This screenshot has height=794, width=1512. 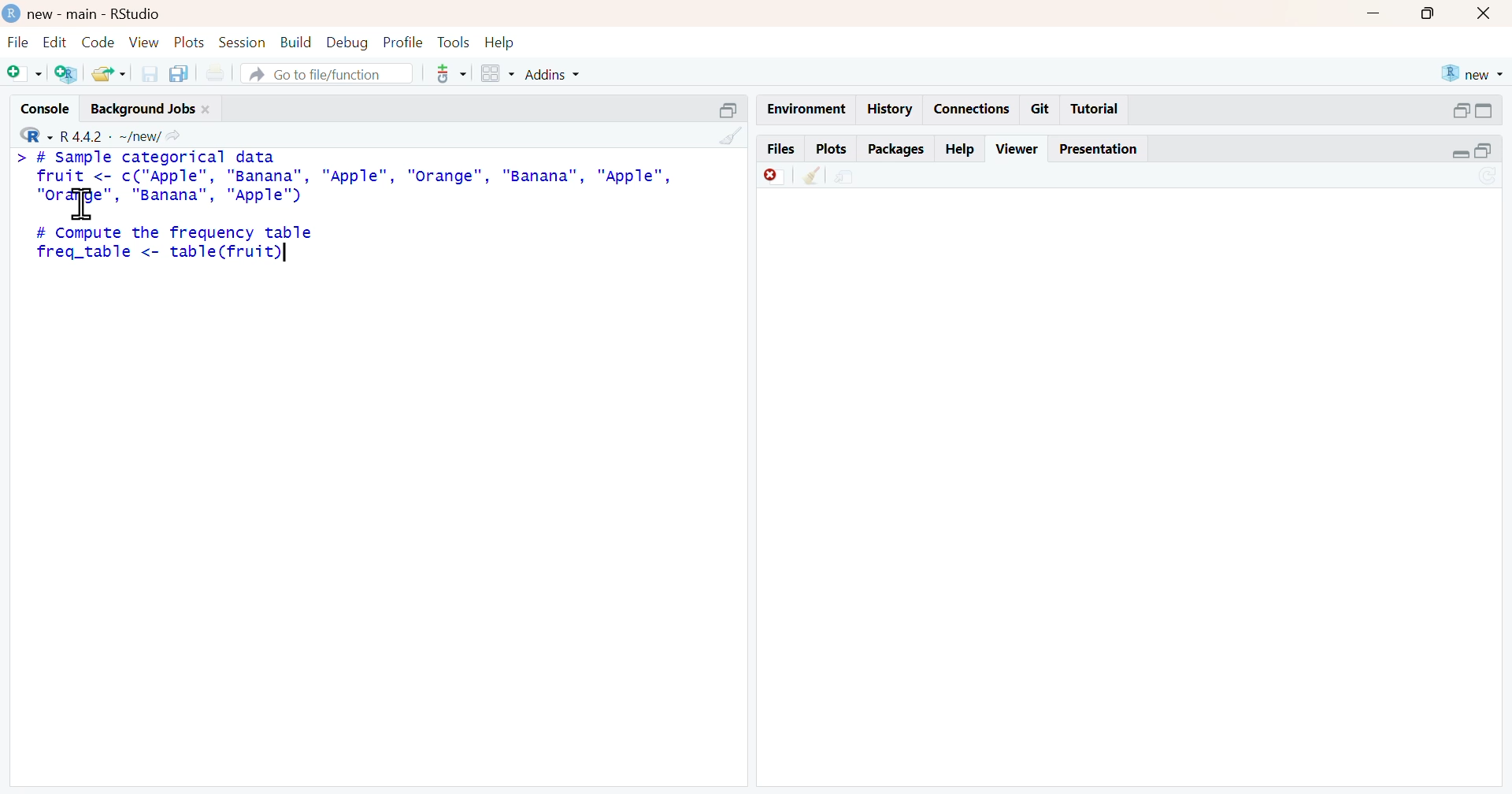 What do you see at coordinates (1103, 150) in the screenshot?
I see `presentation` at bounding box center [1103, 150].